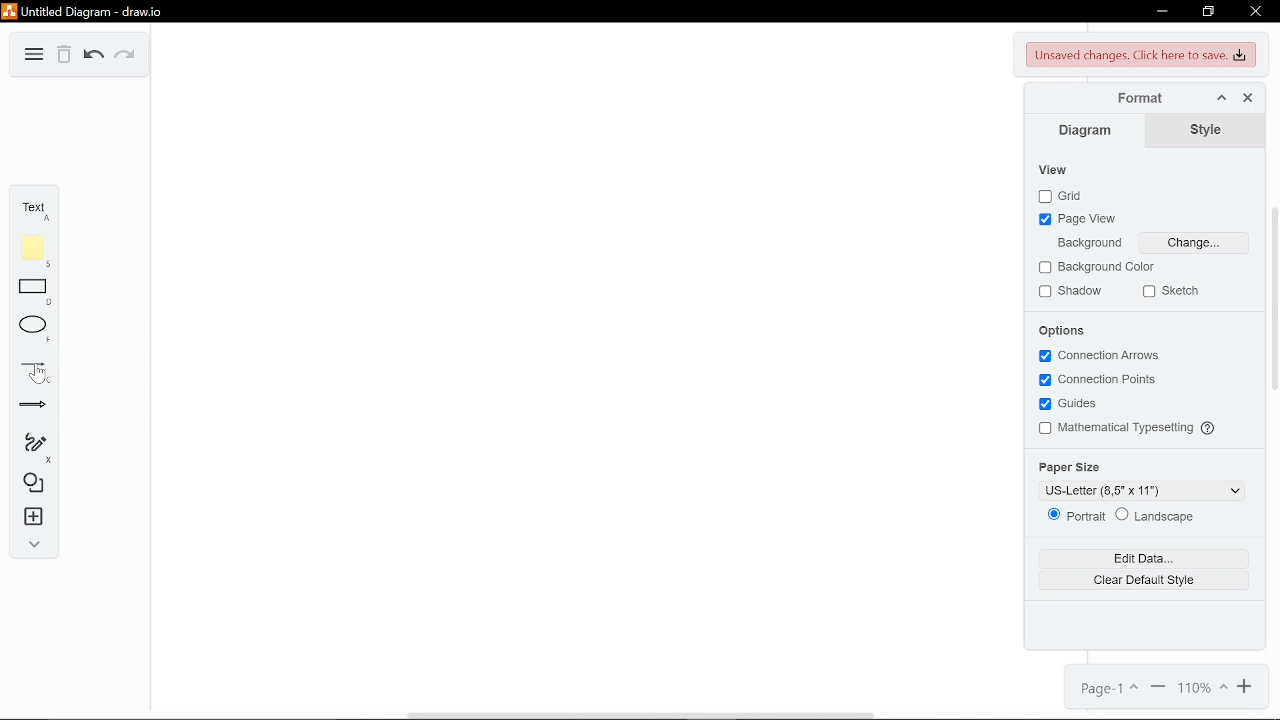  Describe the element at coordinates (1194, 242) in the screenshot. I see `Change Background` at that location.